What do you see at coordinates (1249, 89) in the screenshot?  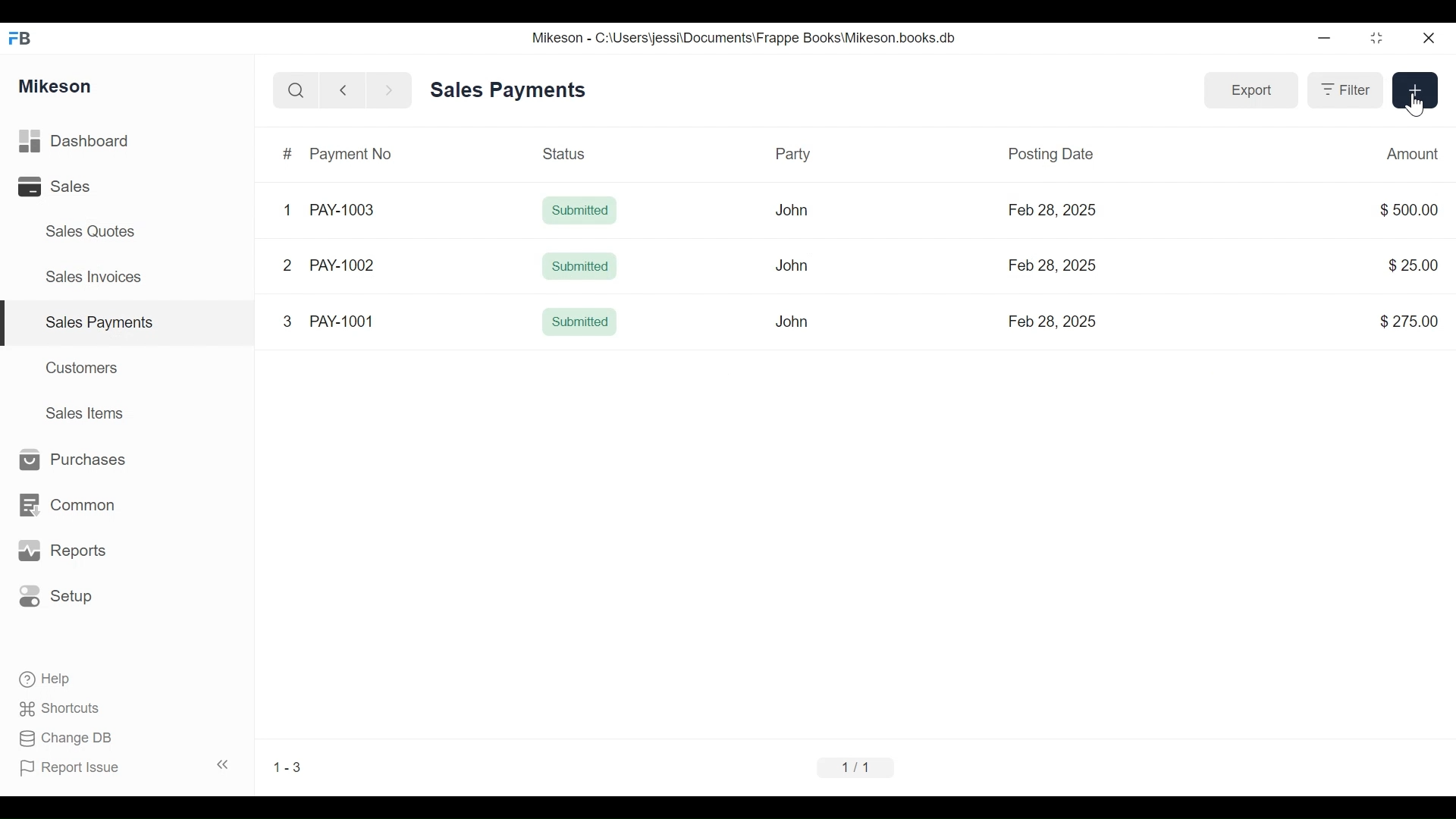 I see `Export` at bounding box center [1249, 89].